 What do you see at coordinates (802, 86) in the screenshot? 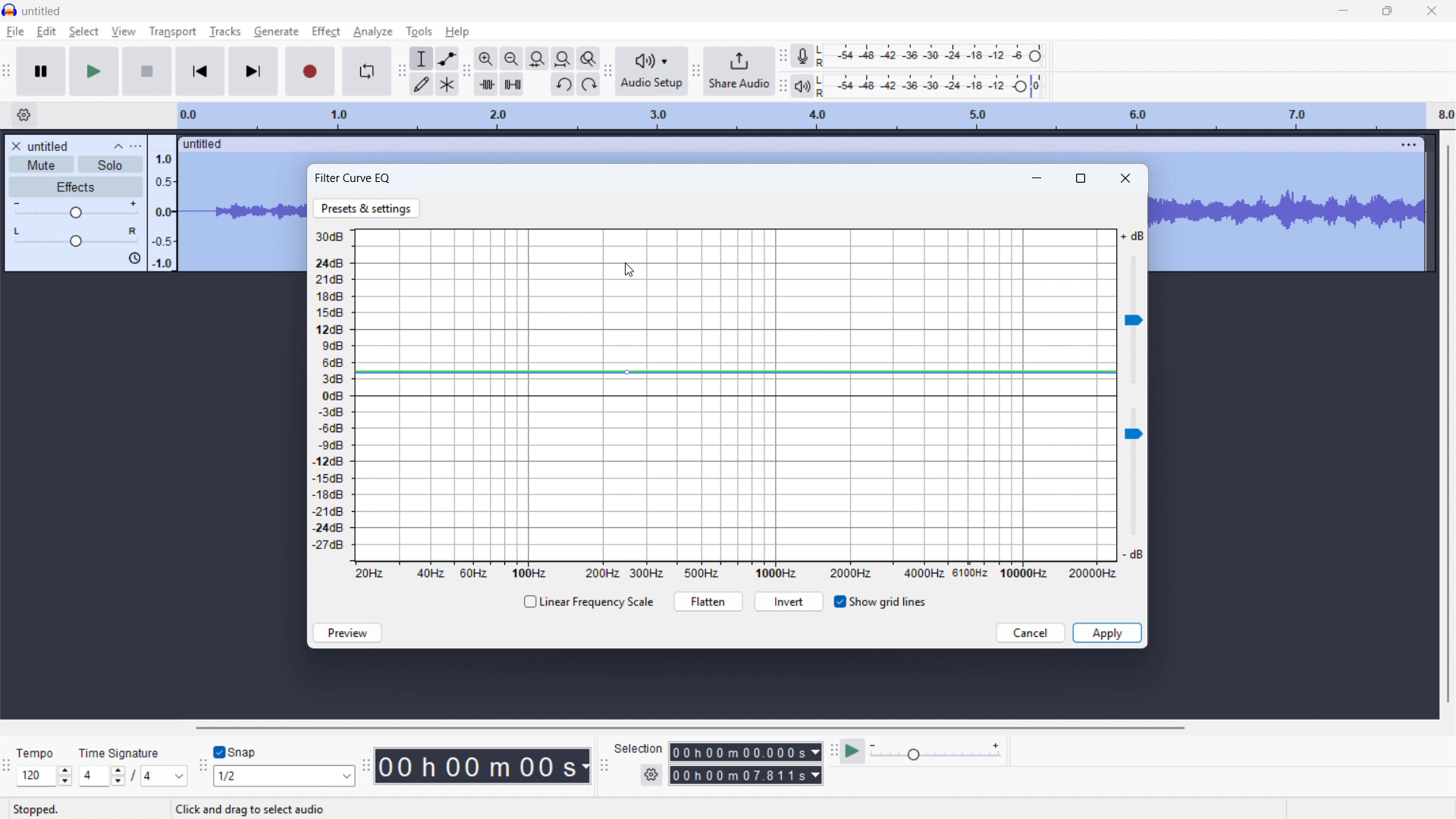
I see `Playback metre ` at bounding box center [802, 86].